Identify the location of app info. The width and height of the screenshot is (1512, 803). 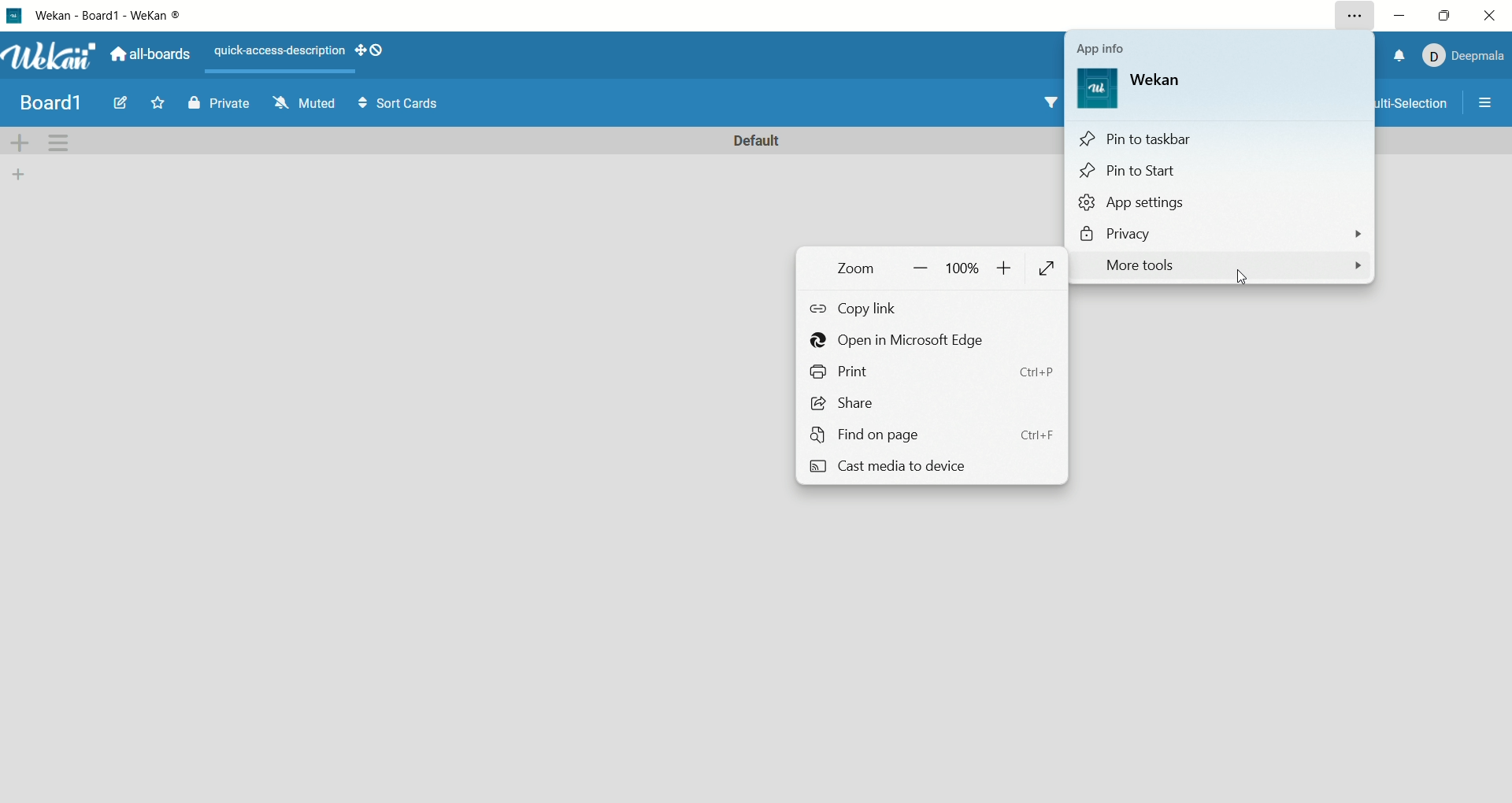
(1102, 46).